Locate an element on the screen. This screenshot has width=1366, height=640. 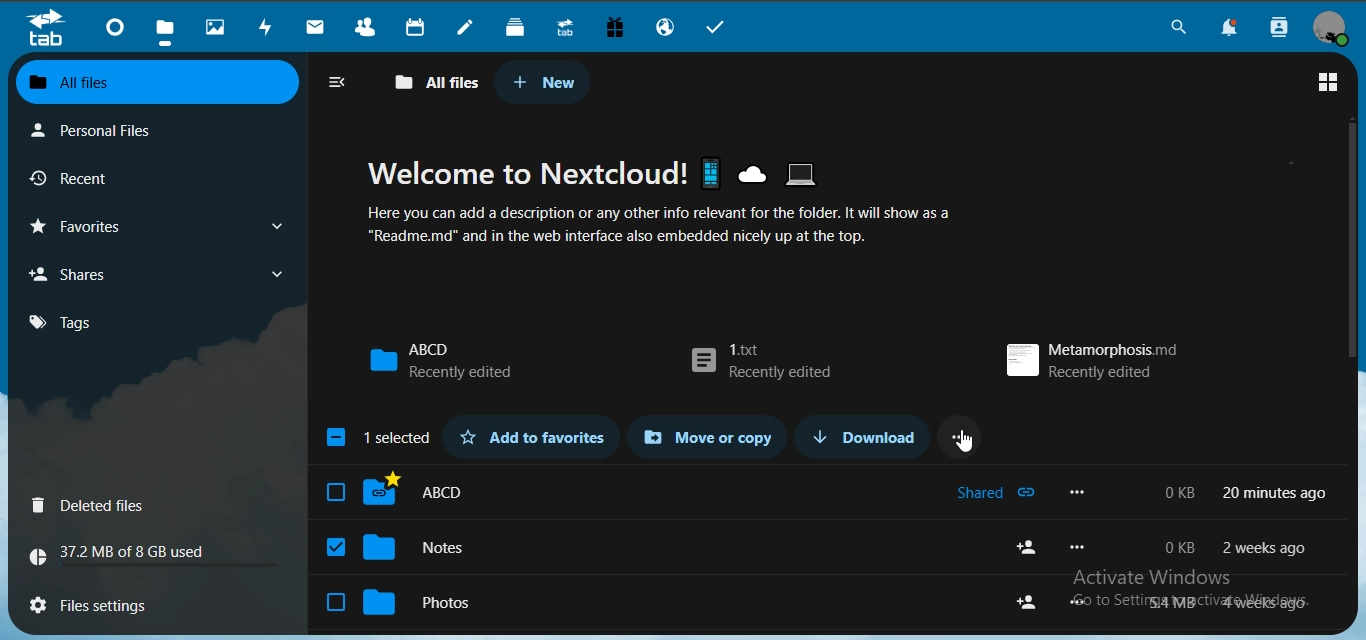
share is located at coordinates (1030, 550).